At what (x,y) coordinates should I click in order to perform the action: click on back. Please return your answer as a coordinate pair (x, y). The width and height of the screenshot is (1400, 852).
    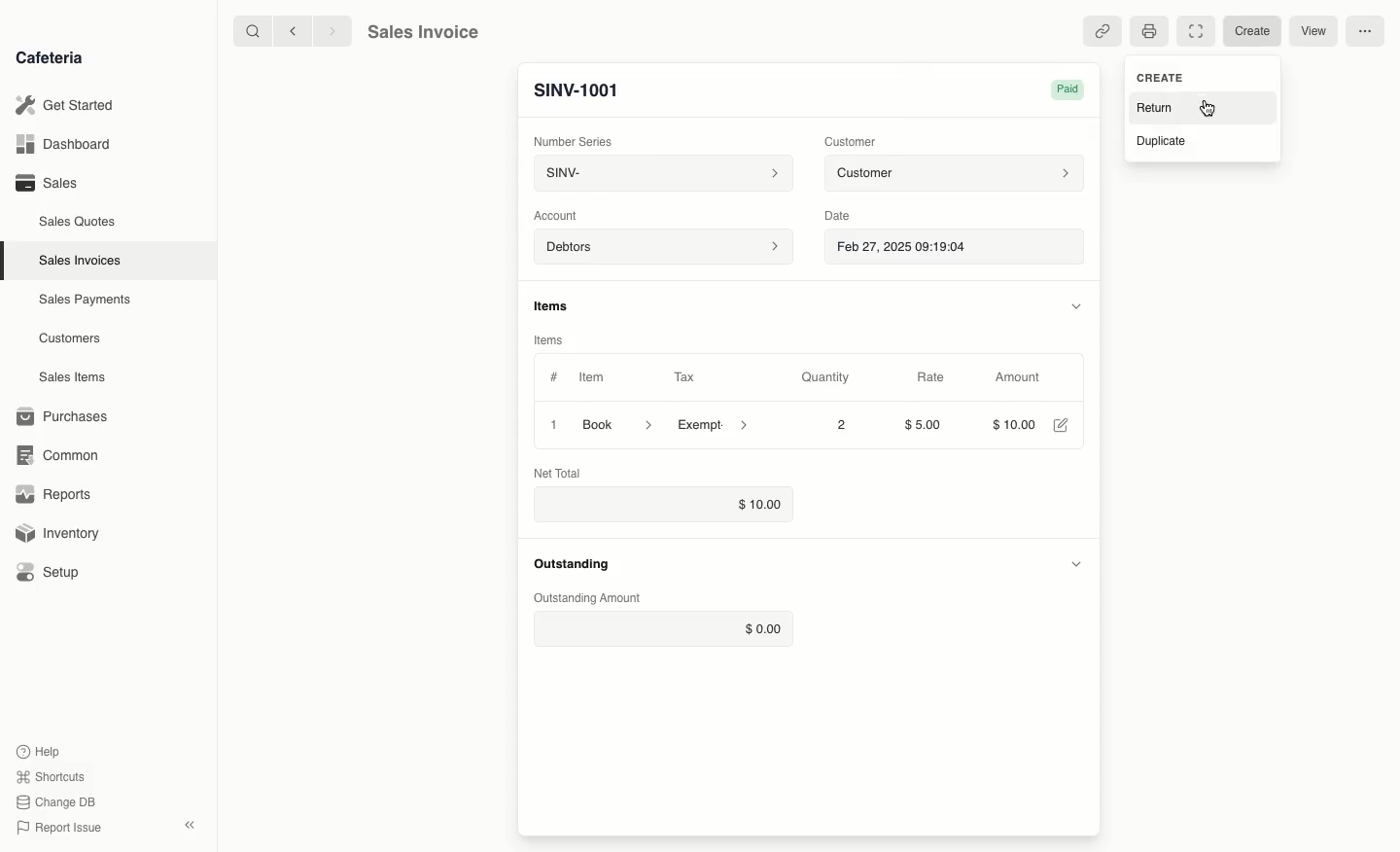
    Looking at the image, I should click on (296, 31).